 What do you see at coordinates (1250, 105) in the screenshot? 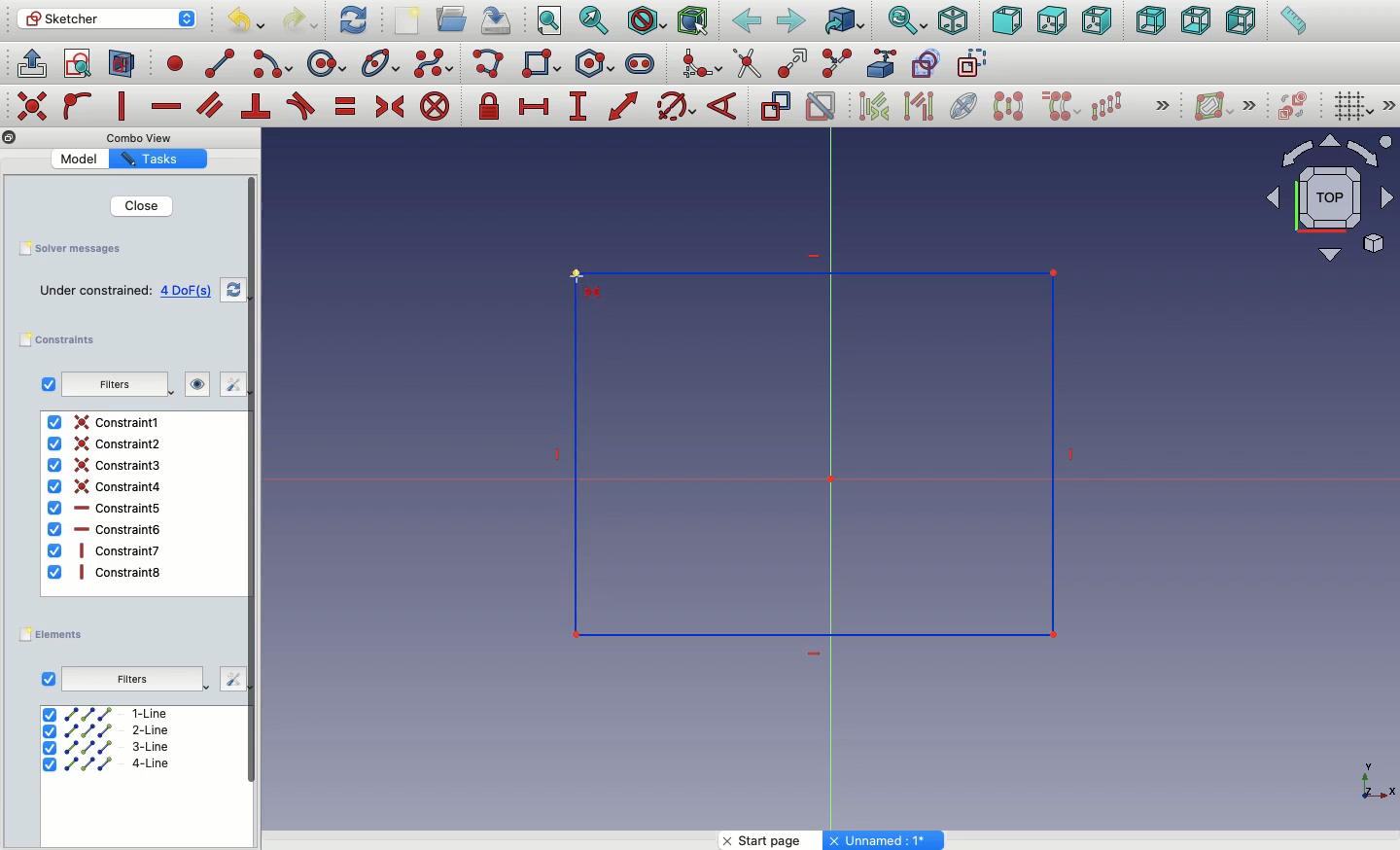
I see `Expand` at bounding box center [1250, 105].